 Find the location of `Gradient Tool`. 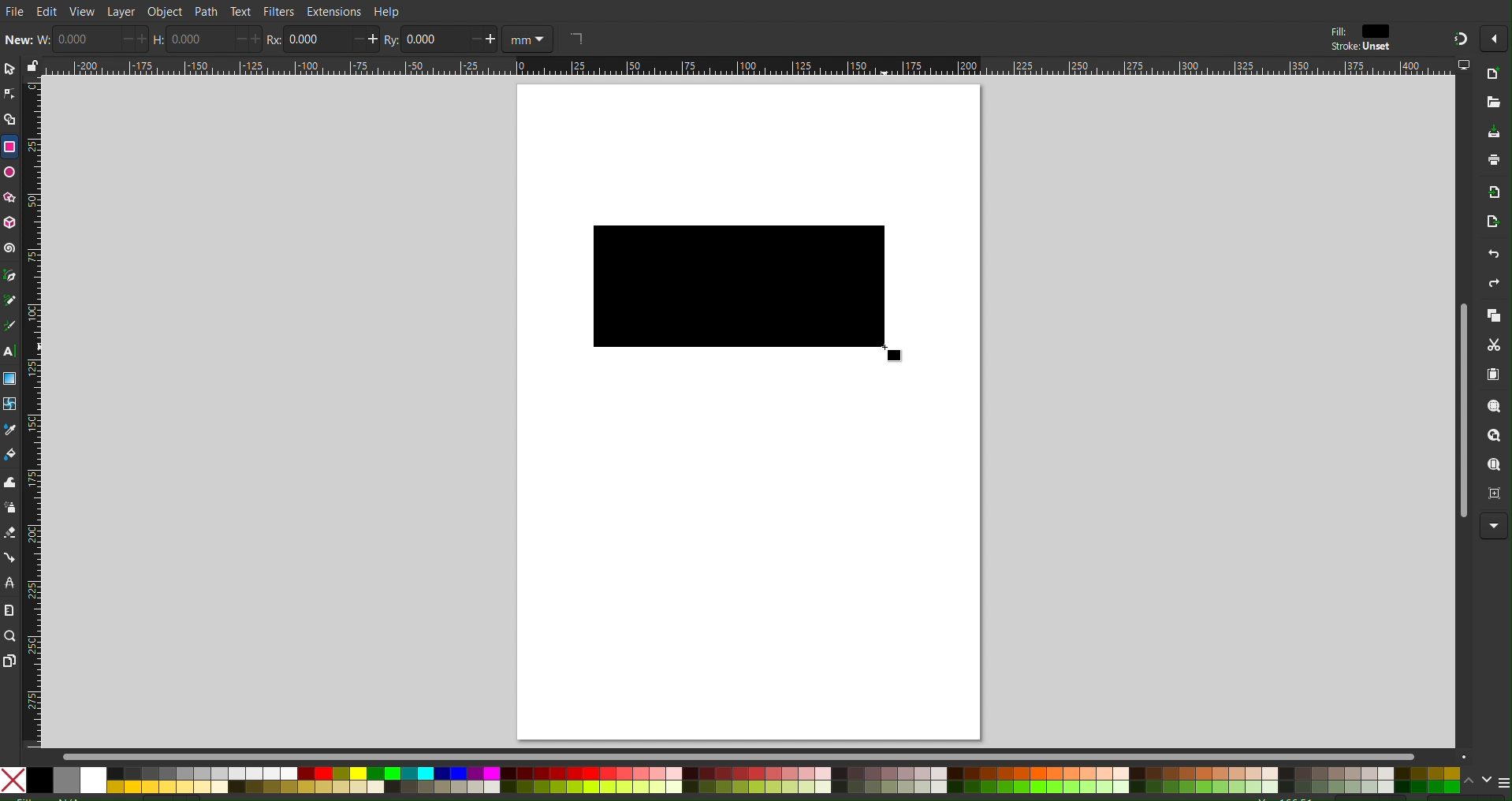

Gradient Tool is located at coordinates (9, 378).